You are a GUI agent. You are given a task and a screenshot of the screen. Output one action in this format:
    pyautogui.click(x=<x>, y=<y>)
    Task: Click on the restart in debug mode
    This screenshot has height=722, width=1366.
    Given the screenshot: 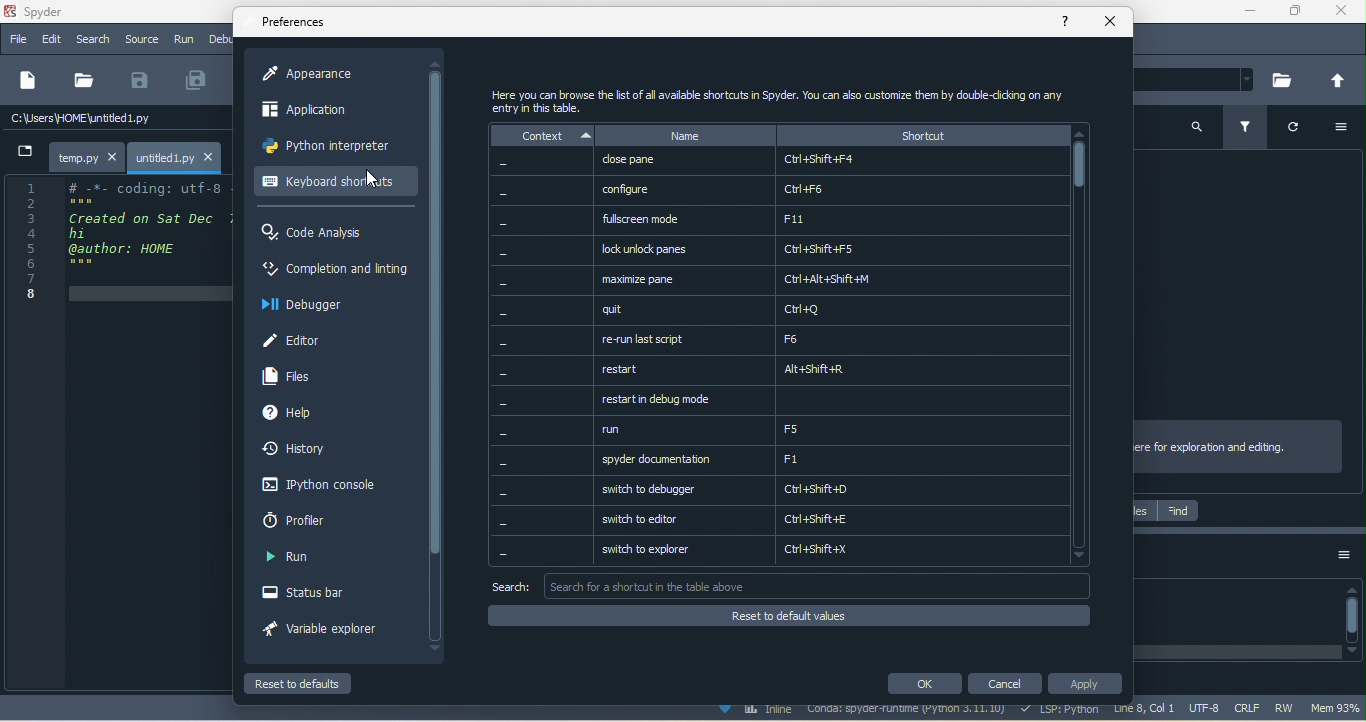 What is the action you would take?
    pyautogui.click(x=827, y=401)
    